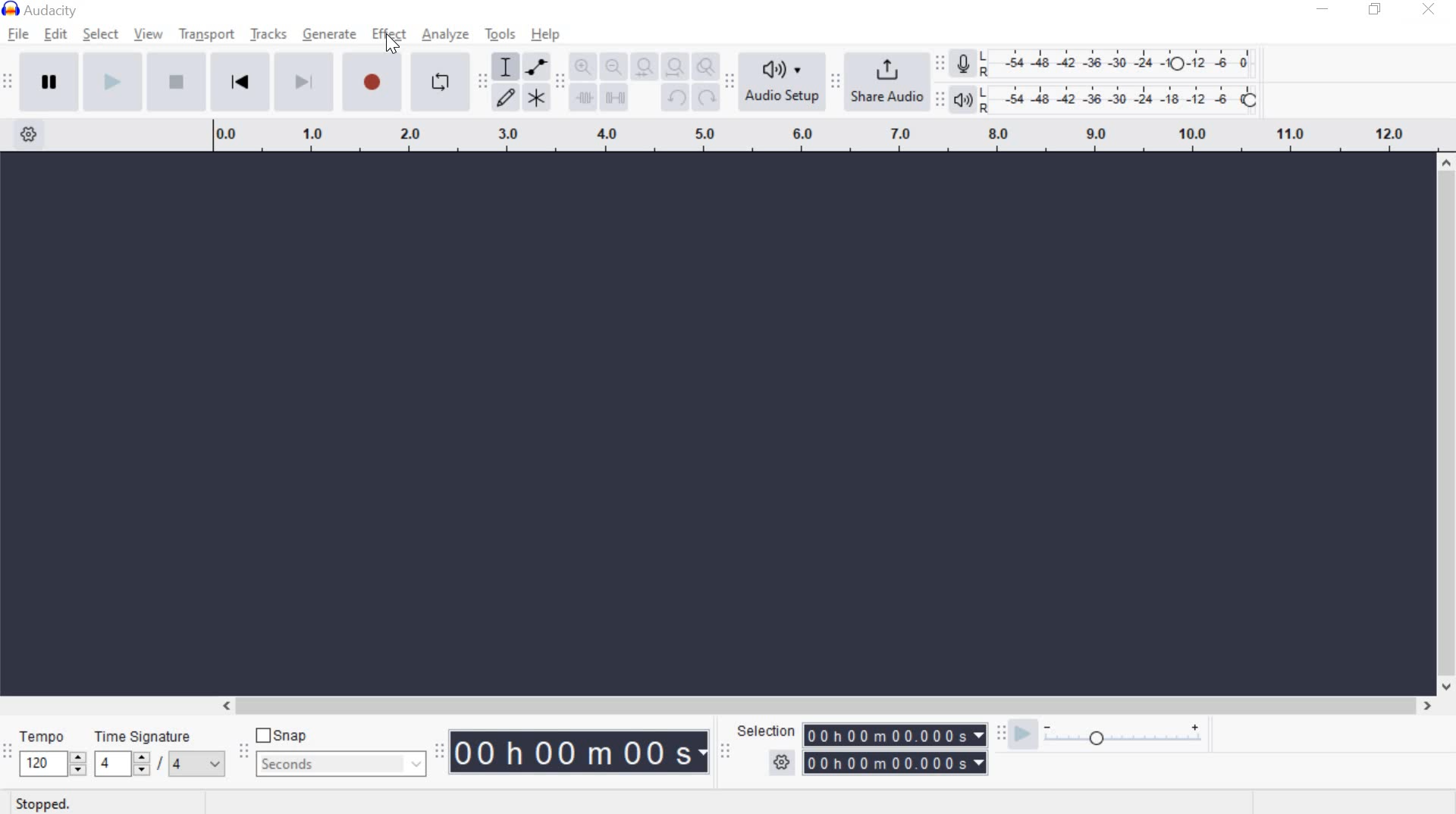 This screenshot has height=814, width=1456. Describe the element at coordinates (940, 64) in the screenshot. I see `Recording Meter Toolbar` at that location.